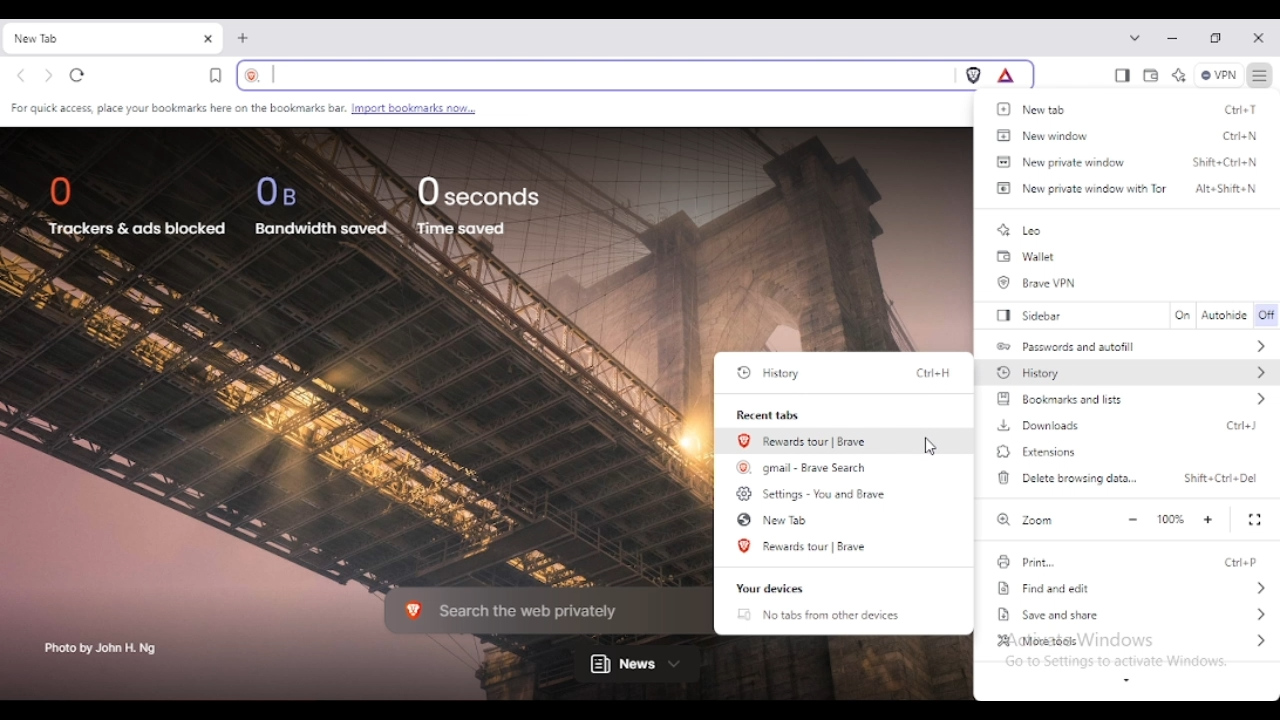 The height and width of the screenshot is (720, 1280). What do you see at coordinates (1034, 315) in the screenshot?
I see `sidebar` at bounding box center [1034, 315].